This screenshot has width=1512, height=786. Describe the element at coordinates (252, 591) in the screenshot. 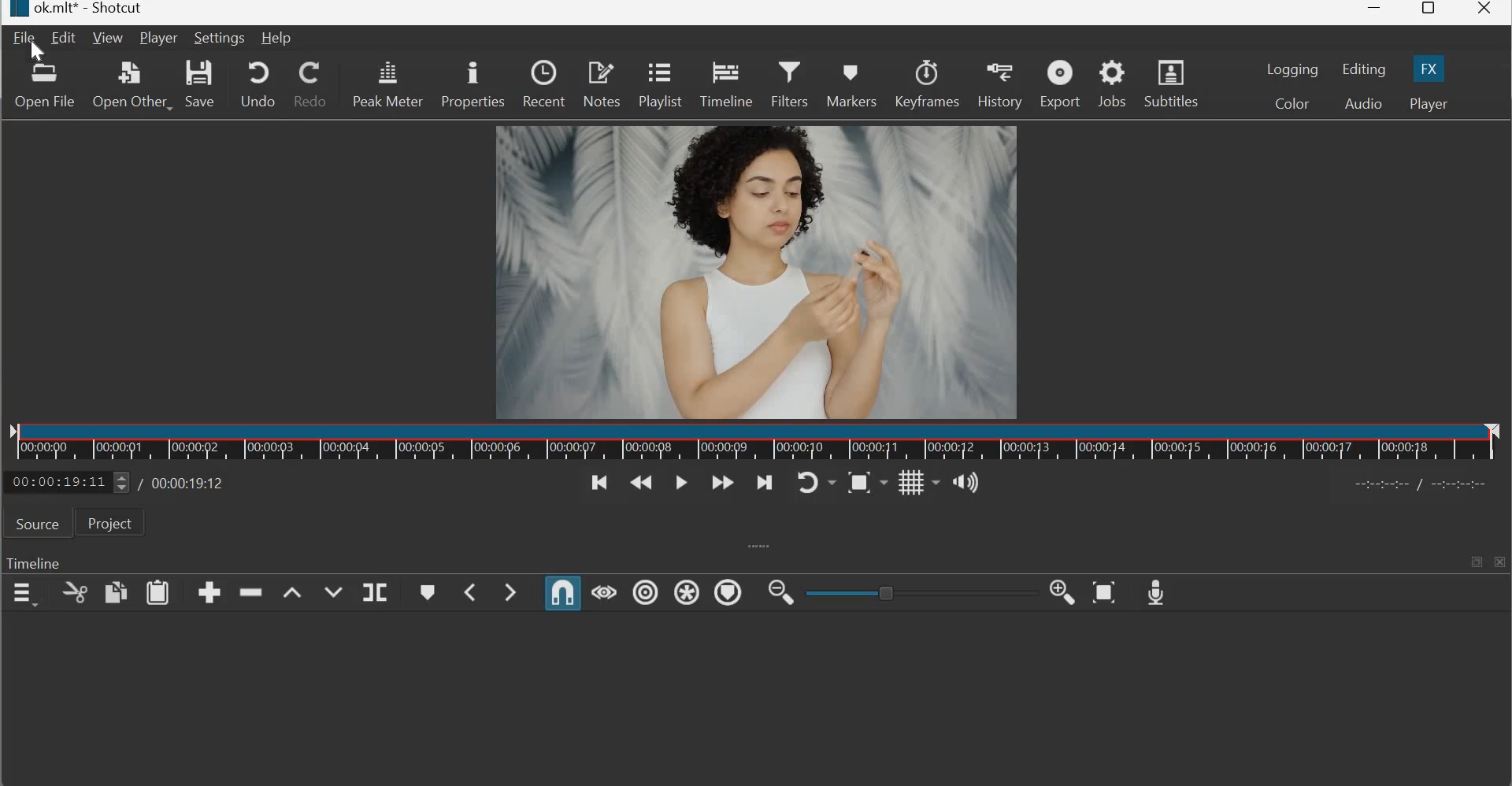

I see `ripple delete` at that location.